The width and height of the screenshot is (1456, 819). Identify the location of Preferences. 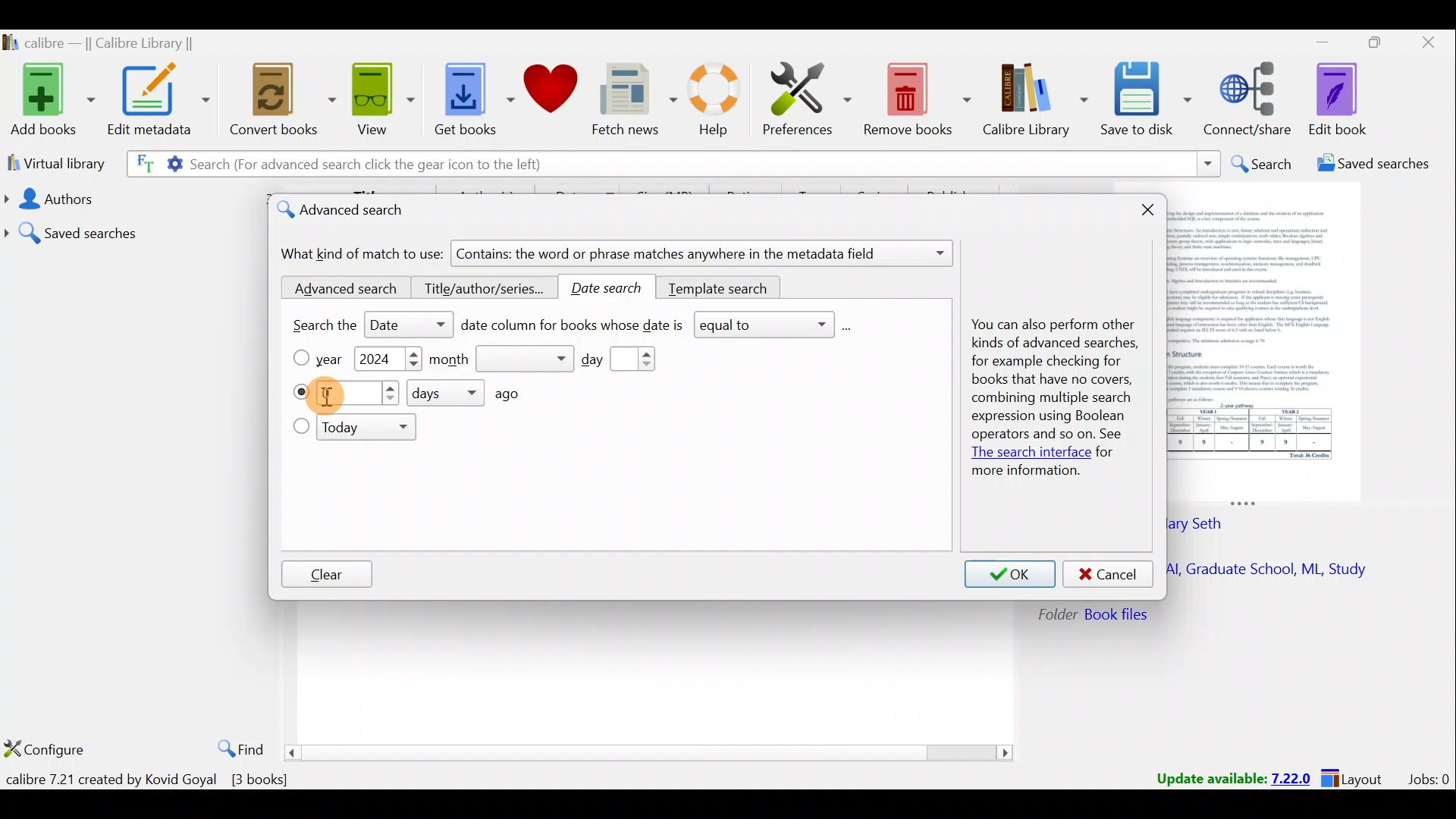
(809, 96).